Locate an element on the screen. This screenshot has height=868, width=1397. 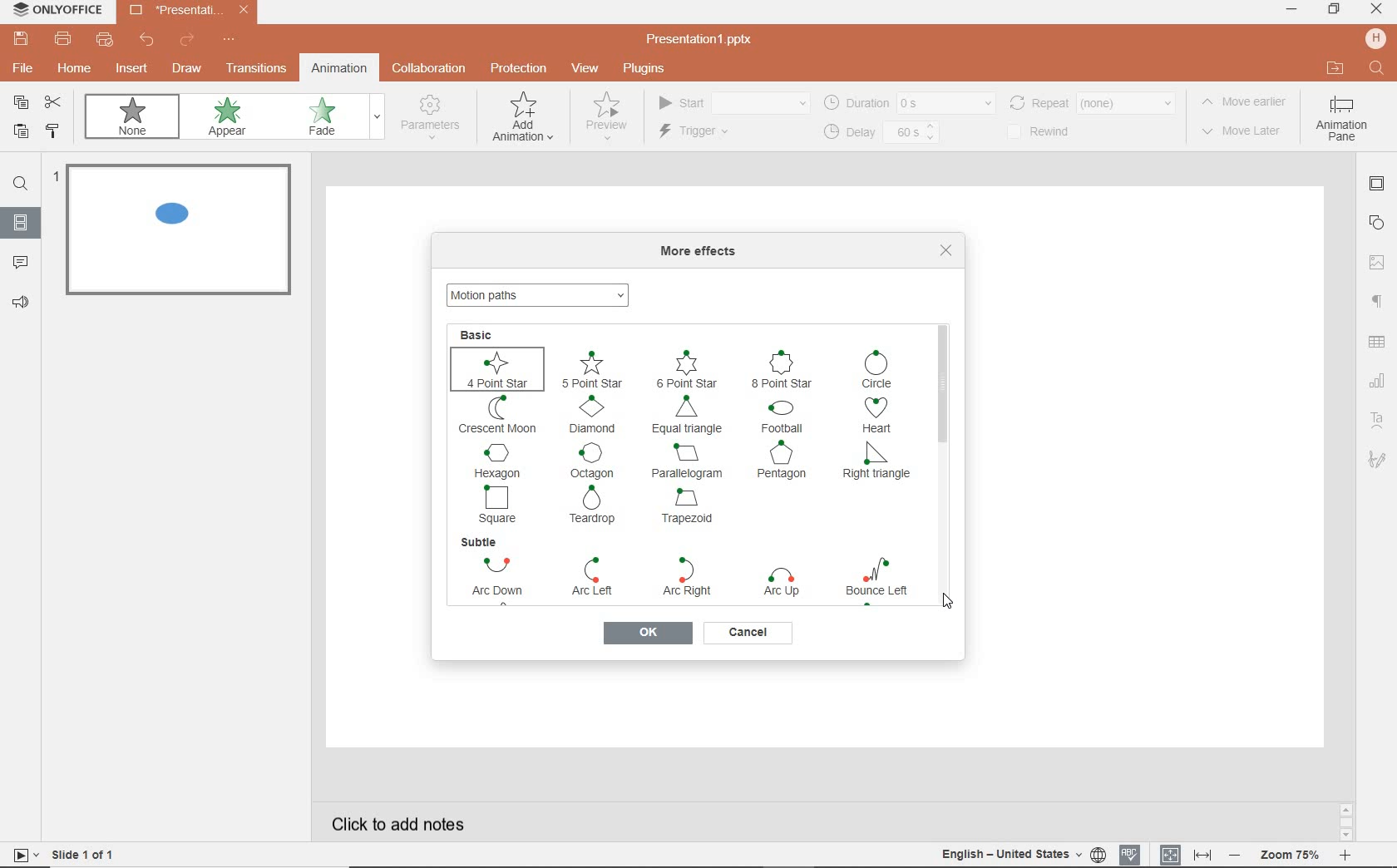
TEARDROP is located at coordinates (597, 506).